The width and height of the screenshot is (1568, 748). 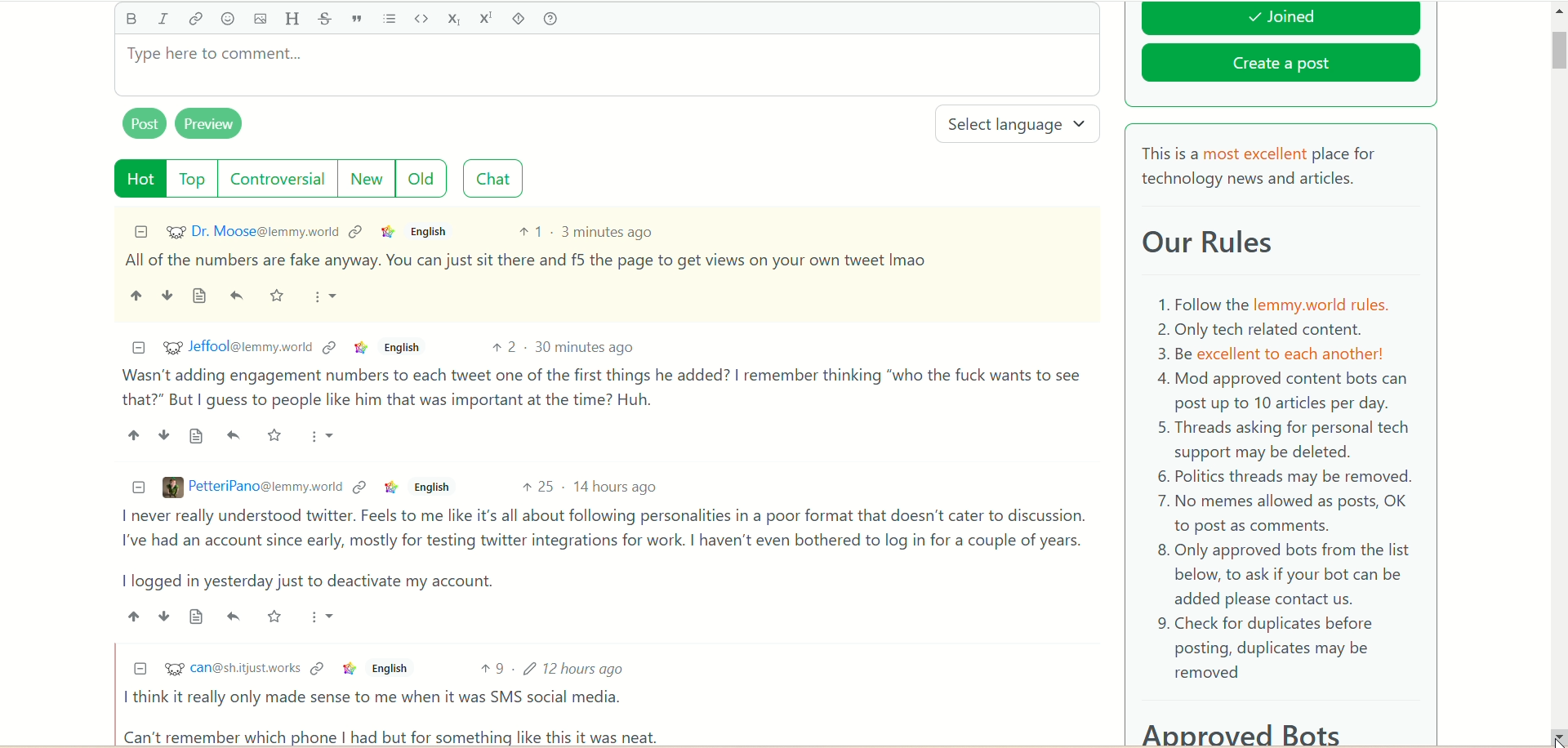 I want to click on Downvote, so click(x=166, y=294).